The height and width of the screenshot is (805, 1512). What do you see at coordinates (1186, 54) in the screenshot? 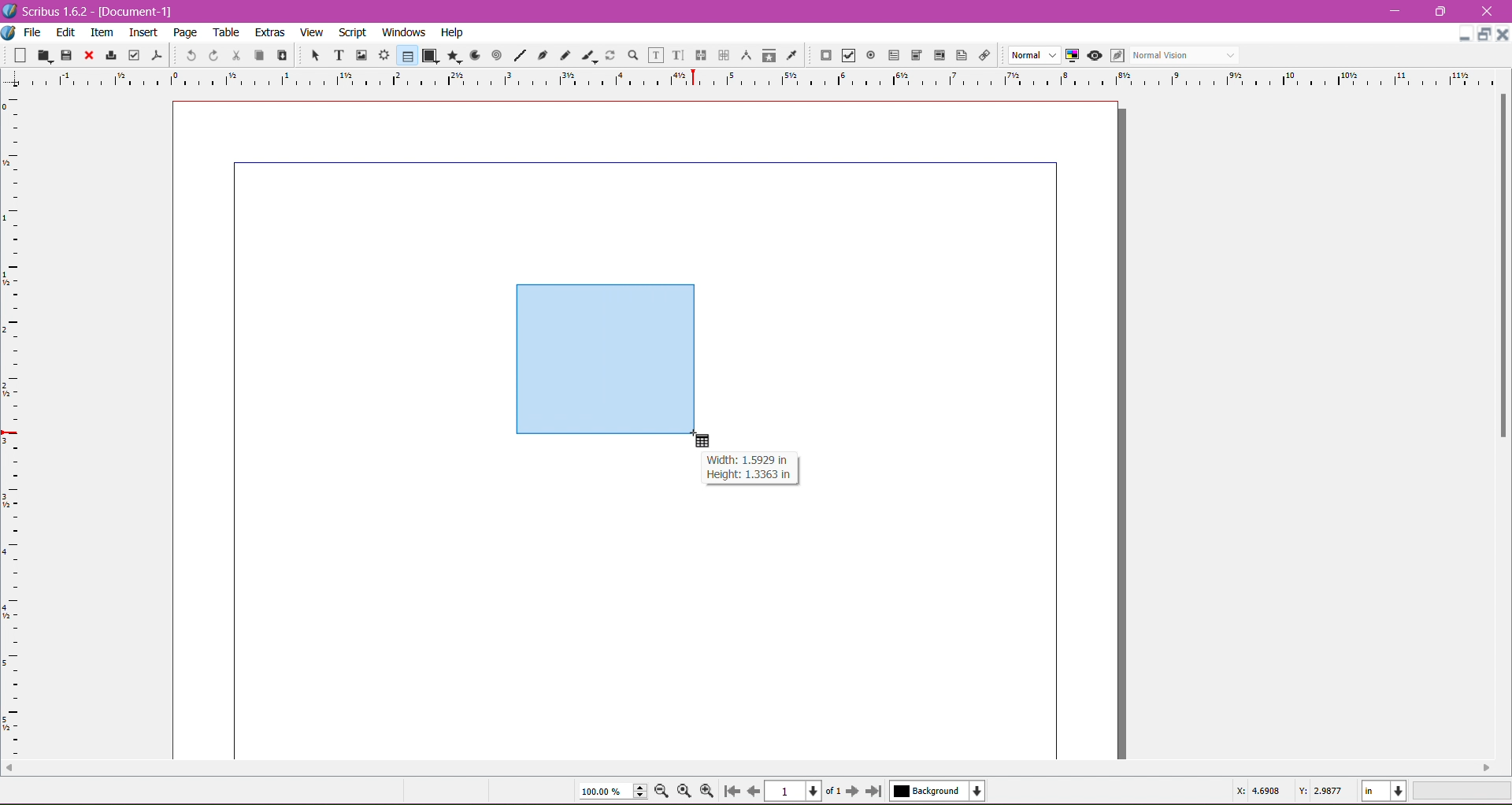
I see `Normal   Vision` at bounding box center [1186, 54].